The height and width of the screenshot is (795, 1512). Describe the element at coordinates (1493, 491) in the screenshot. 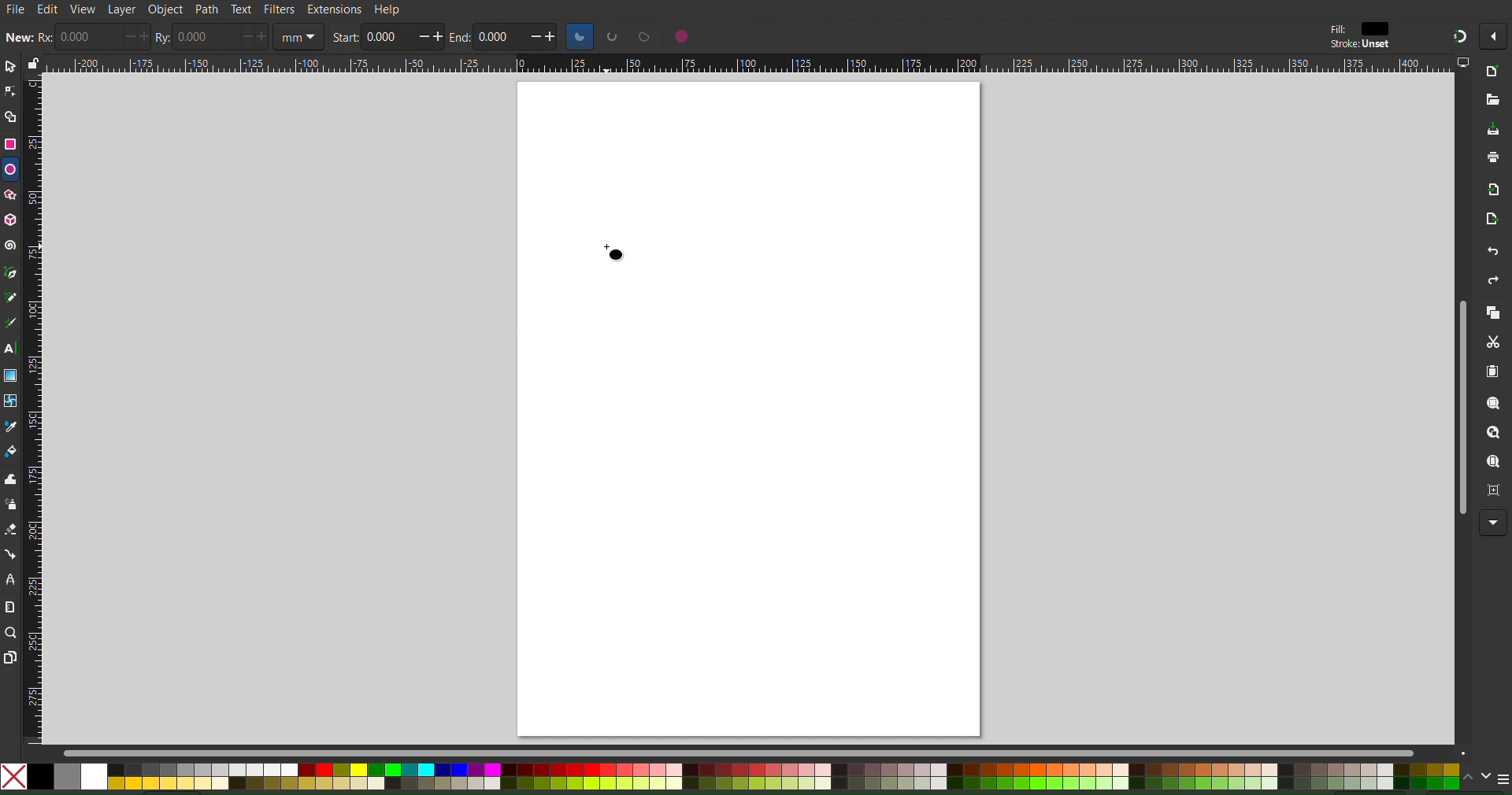

I see `Zoom Page Center` at that location.